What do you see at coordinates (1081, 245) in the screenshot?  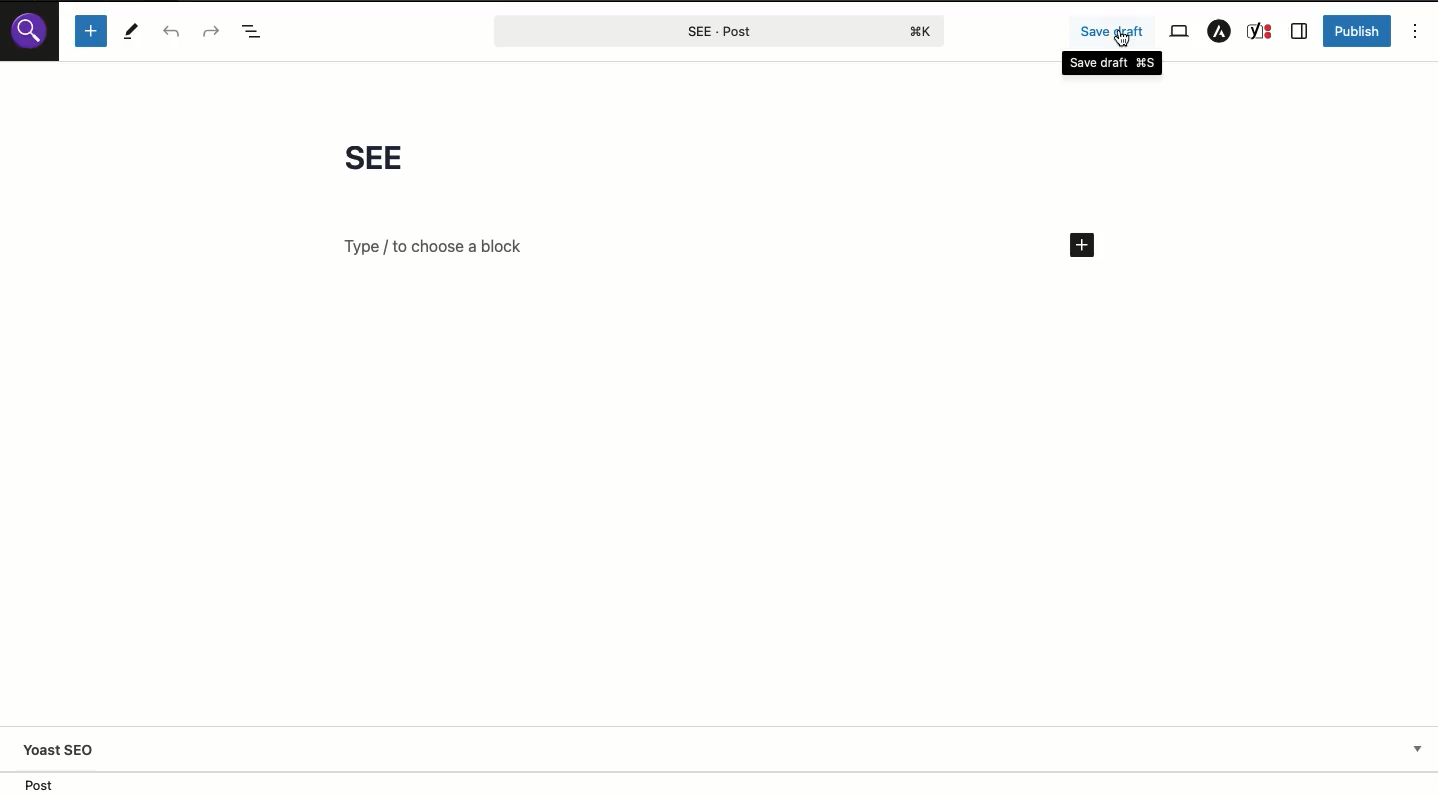 I see `Add new block` at bounding box center [1081, 245].